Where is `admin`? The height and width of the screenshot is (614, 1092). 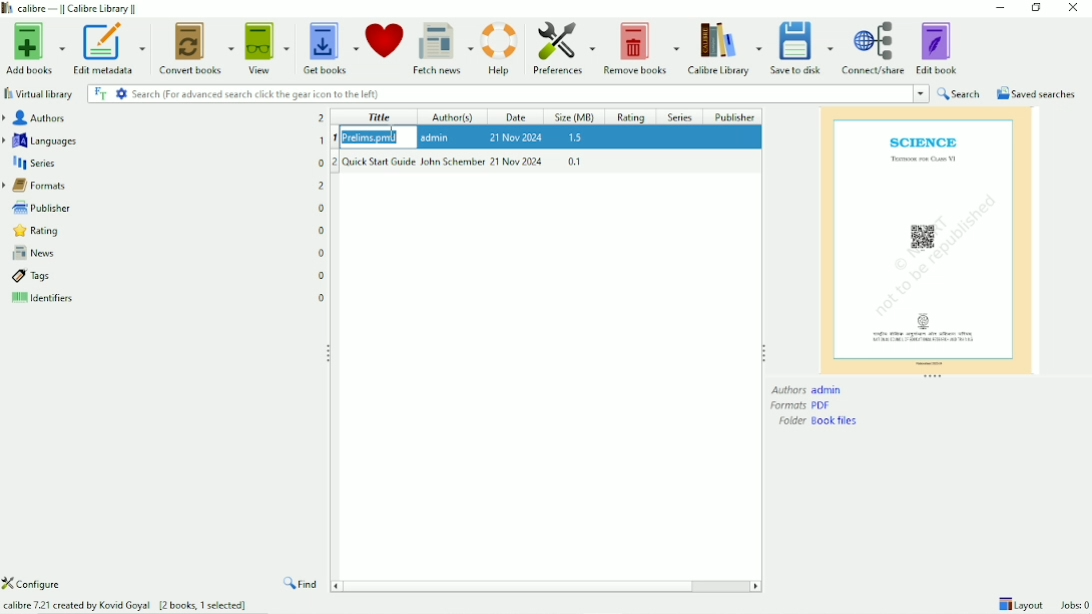 admin is located at coordinates (438, 137).